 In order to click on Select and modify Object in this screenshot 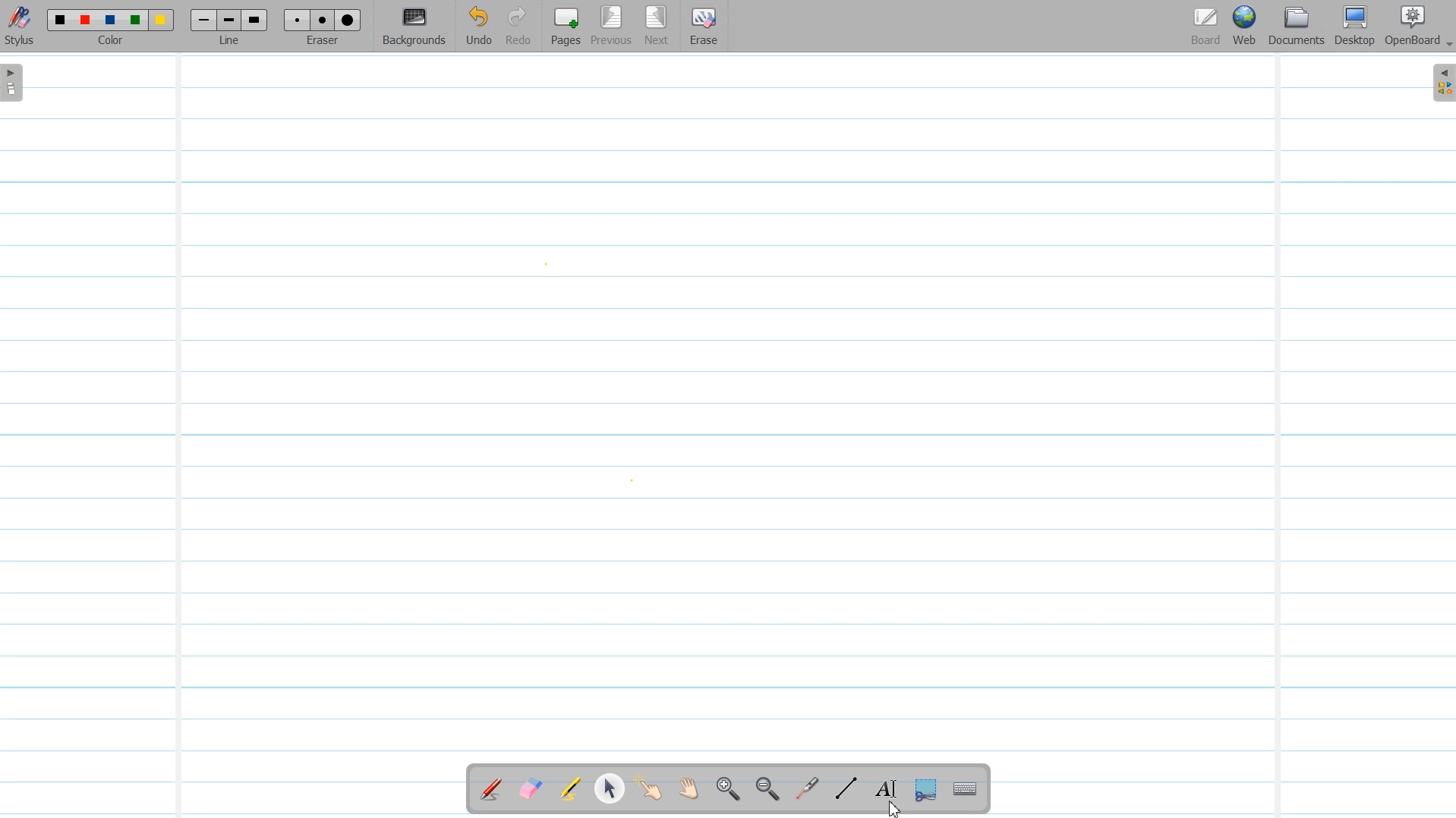, I will do `click(610, 788)`.